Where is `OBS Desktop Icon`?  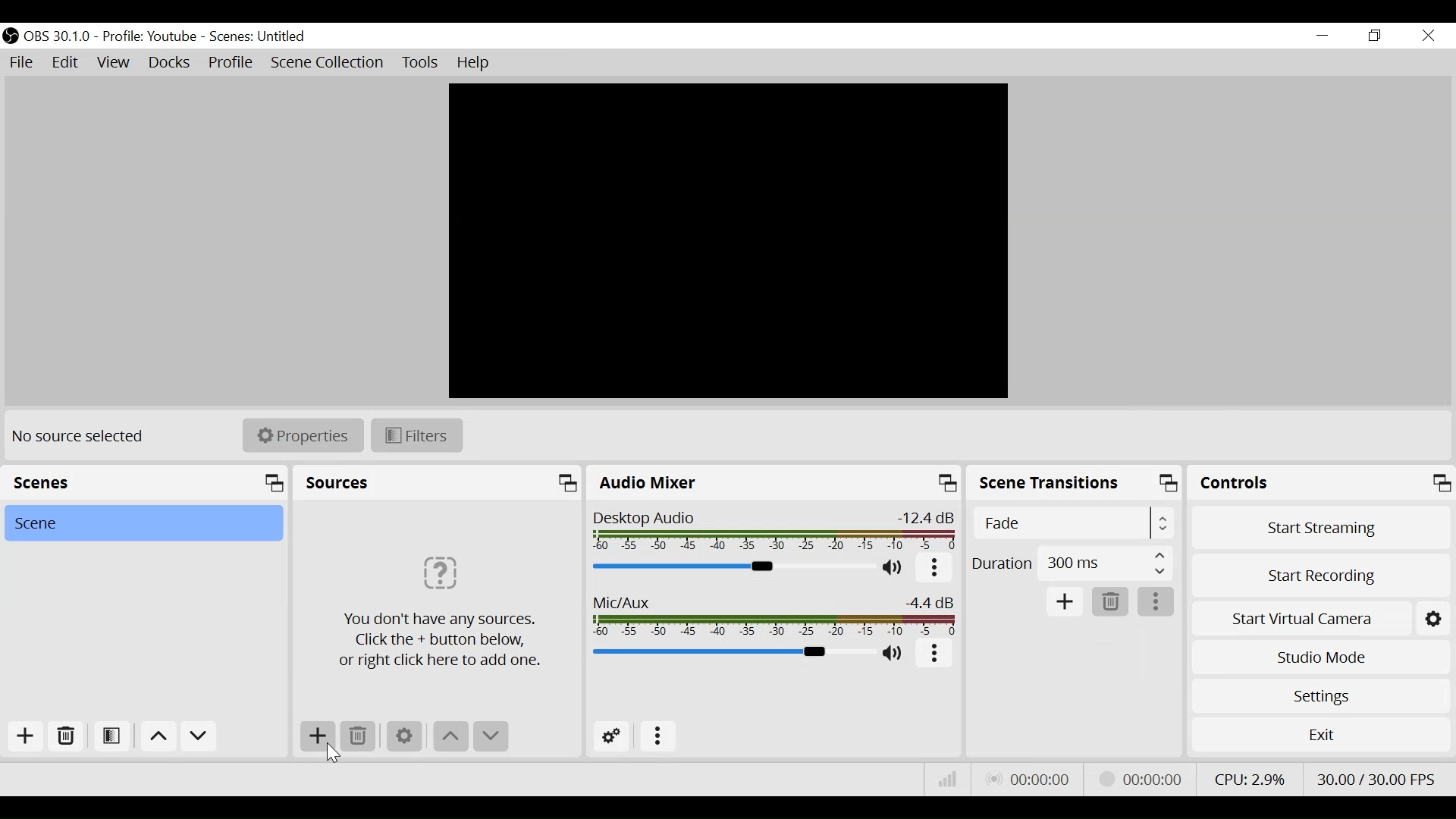
OBS Desktop Icon is located at coordinates (9, 36).